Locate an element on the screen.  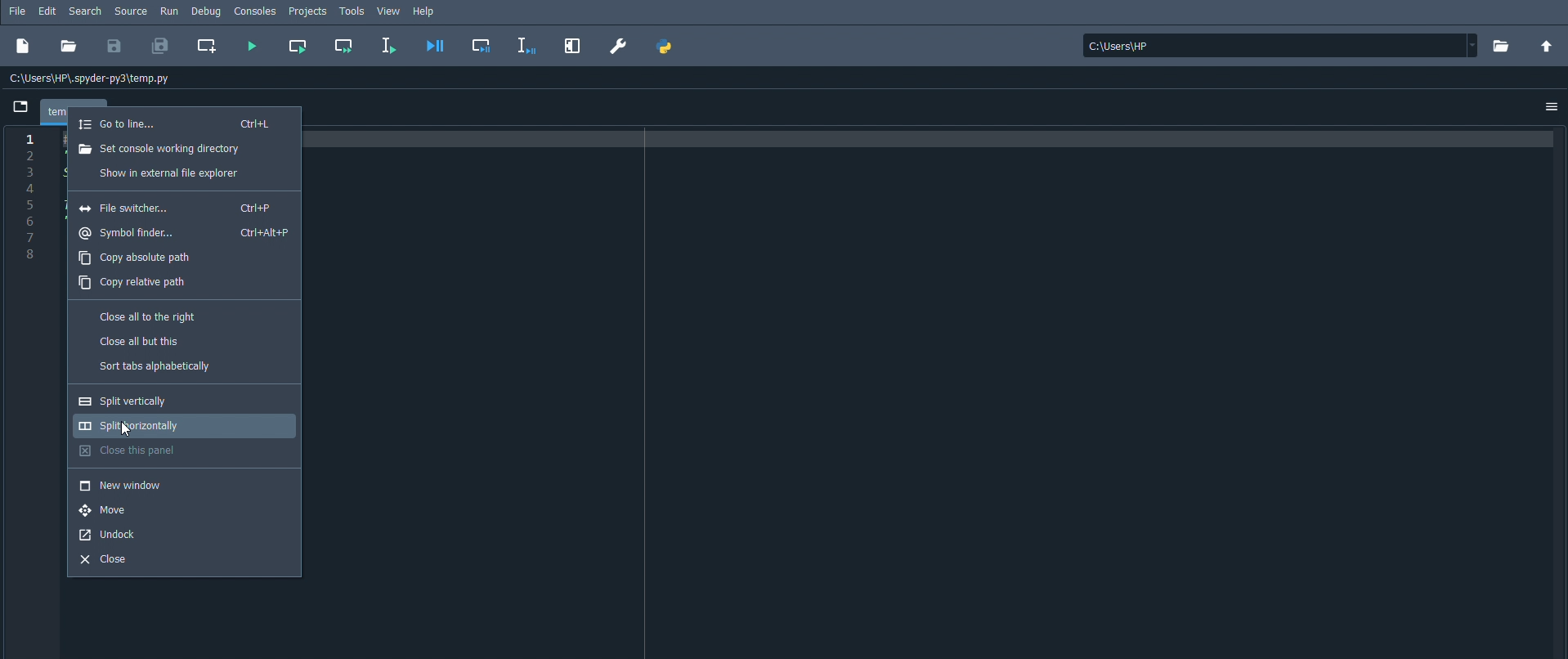
Split vertically is located at coordinates (150, 401).